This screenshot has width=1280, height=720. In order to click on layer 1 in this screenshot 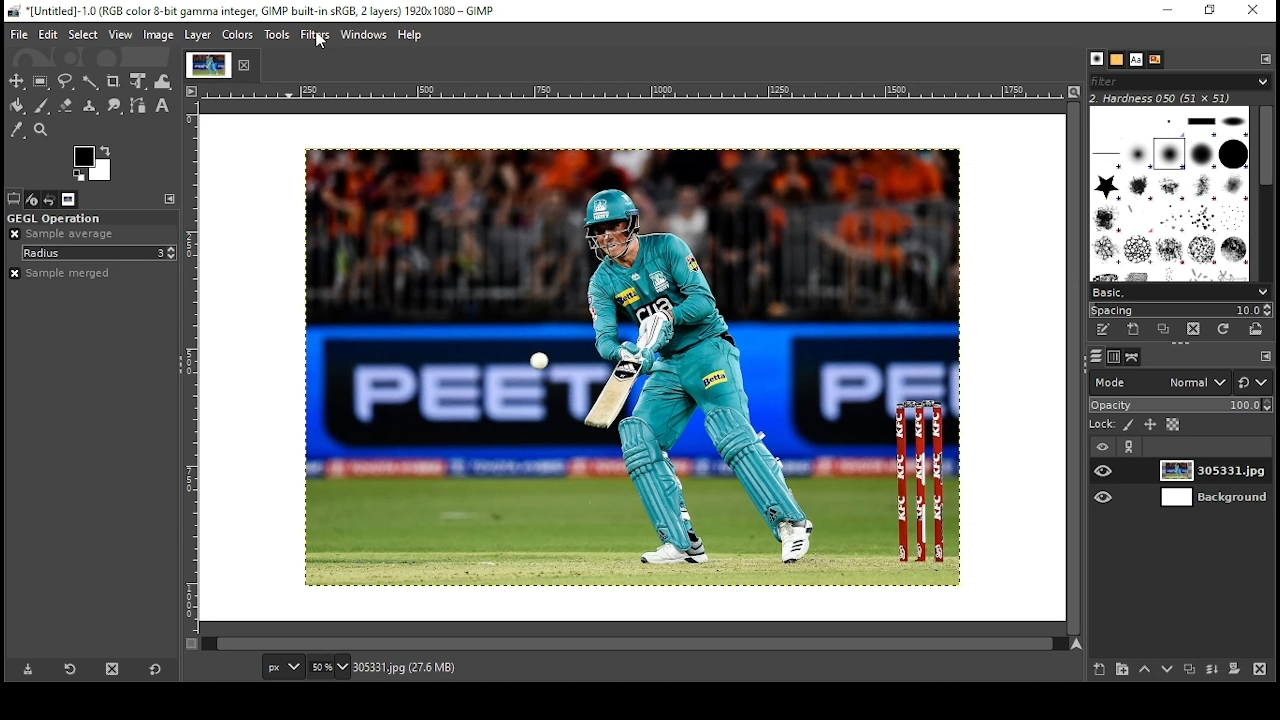, I will do `click(1217, 473)`.